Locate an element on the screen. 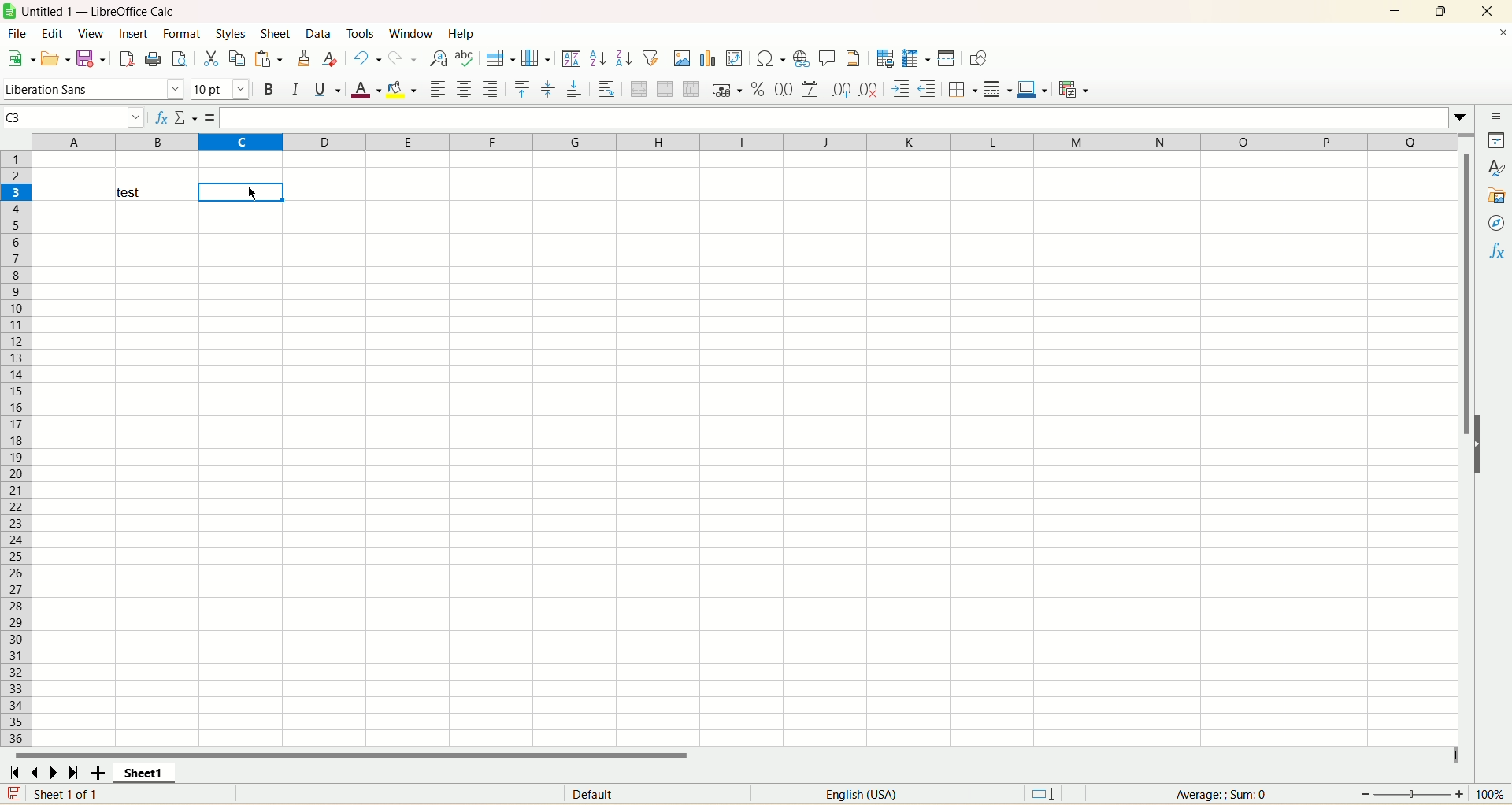 The width and height of the screenshot is (1512, 805). functions is located at coordinates (1495, 251).